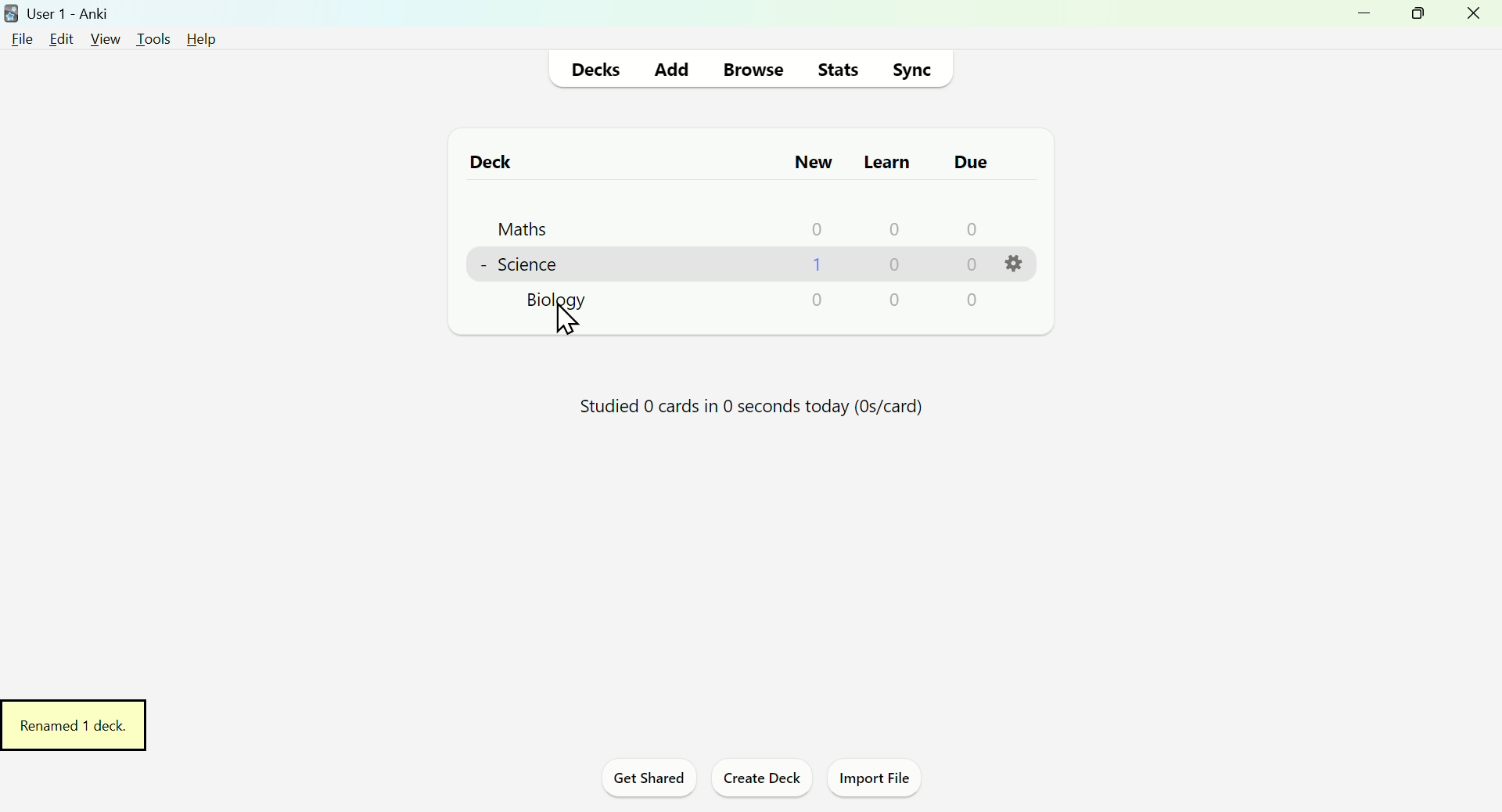 Image resolution: width=1502 pixels, height=812 pixels. What do you see at coordinates (643, 781) in the screenshot?
I see `Get Shared` at bounding box center [643, 781].